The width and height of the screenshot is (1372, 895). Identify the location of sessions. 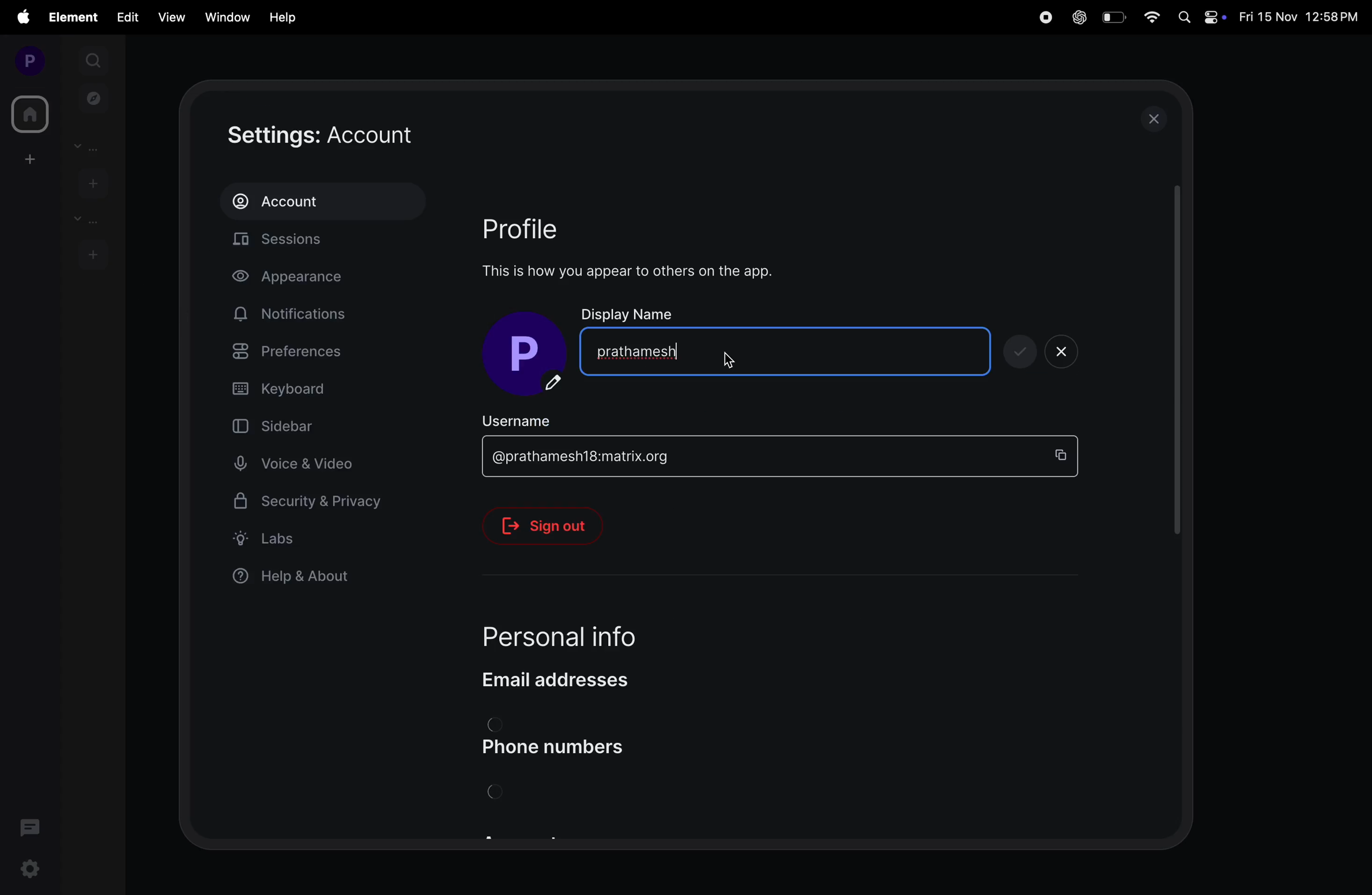
(329, 242).